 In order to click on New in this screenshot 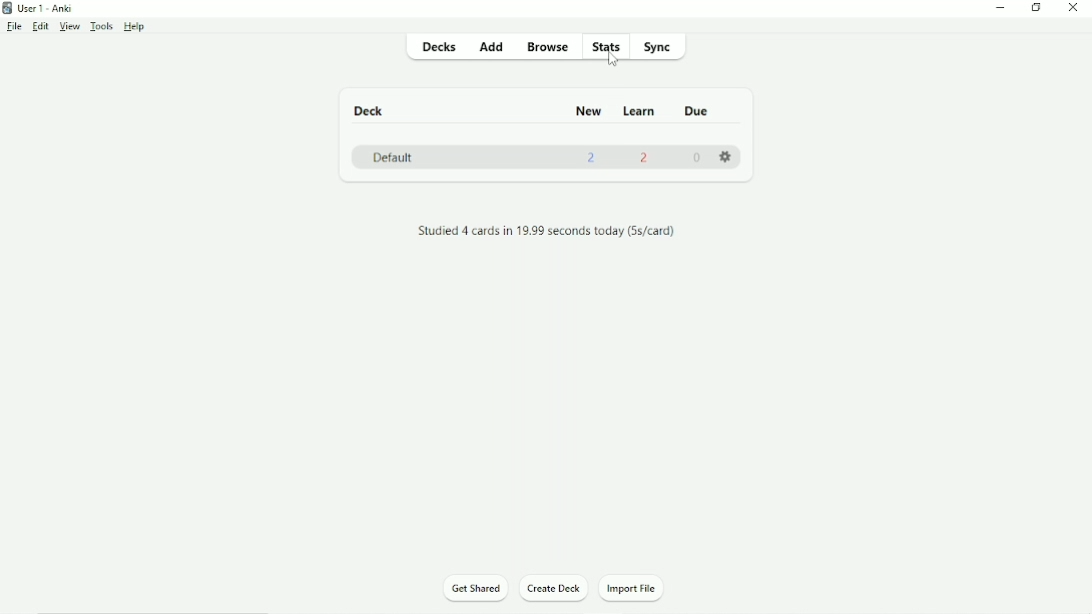, I will do `click(590, 112)`.